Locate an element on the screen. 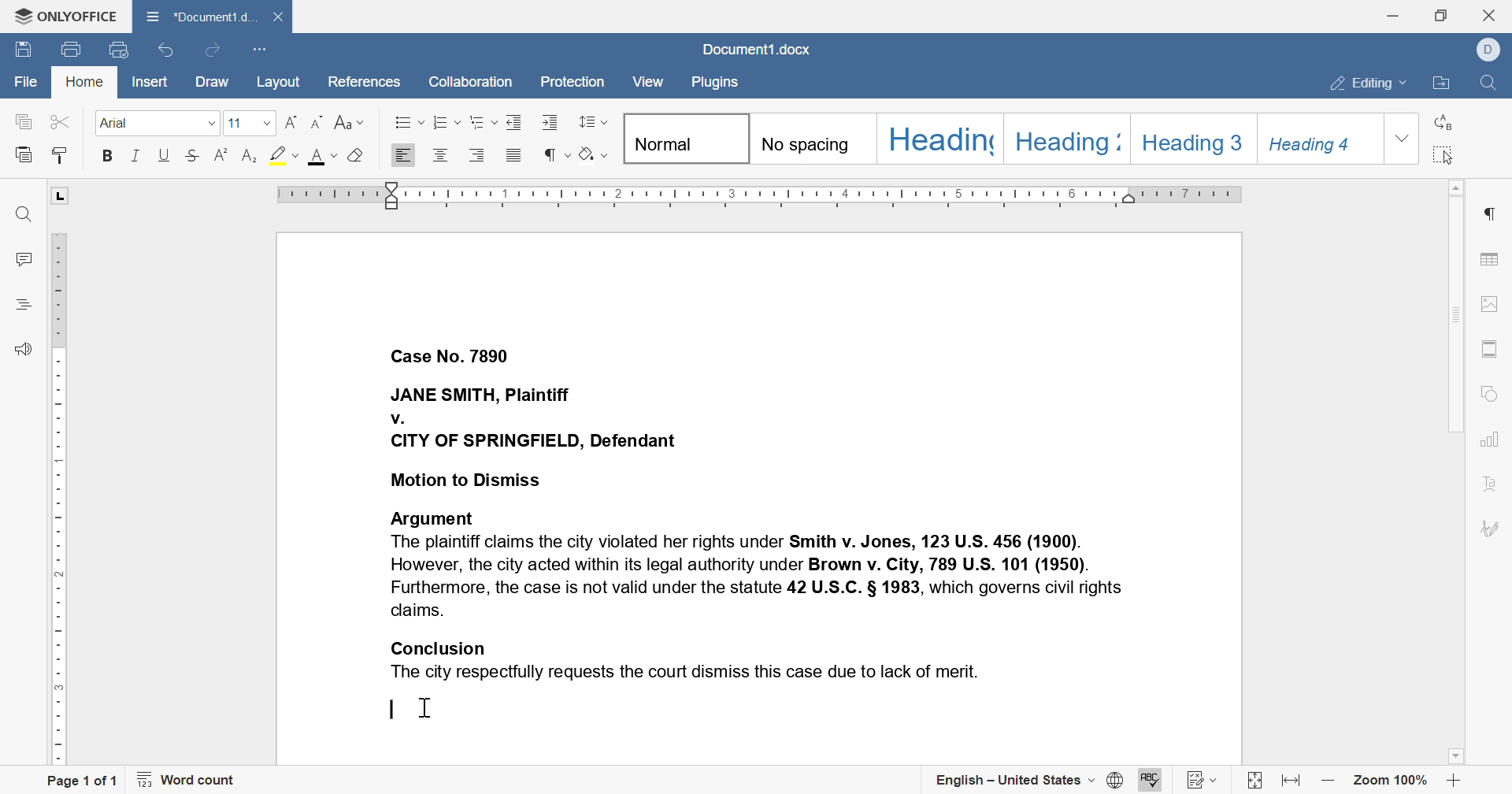 This screenshot has height=794, width=1512. fit to width is located at coordinates (1291, 780).